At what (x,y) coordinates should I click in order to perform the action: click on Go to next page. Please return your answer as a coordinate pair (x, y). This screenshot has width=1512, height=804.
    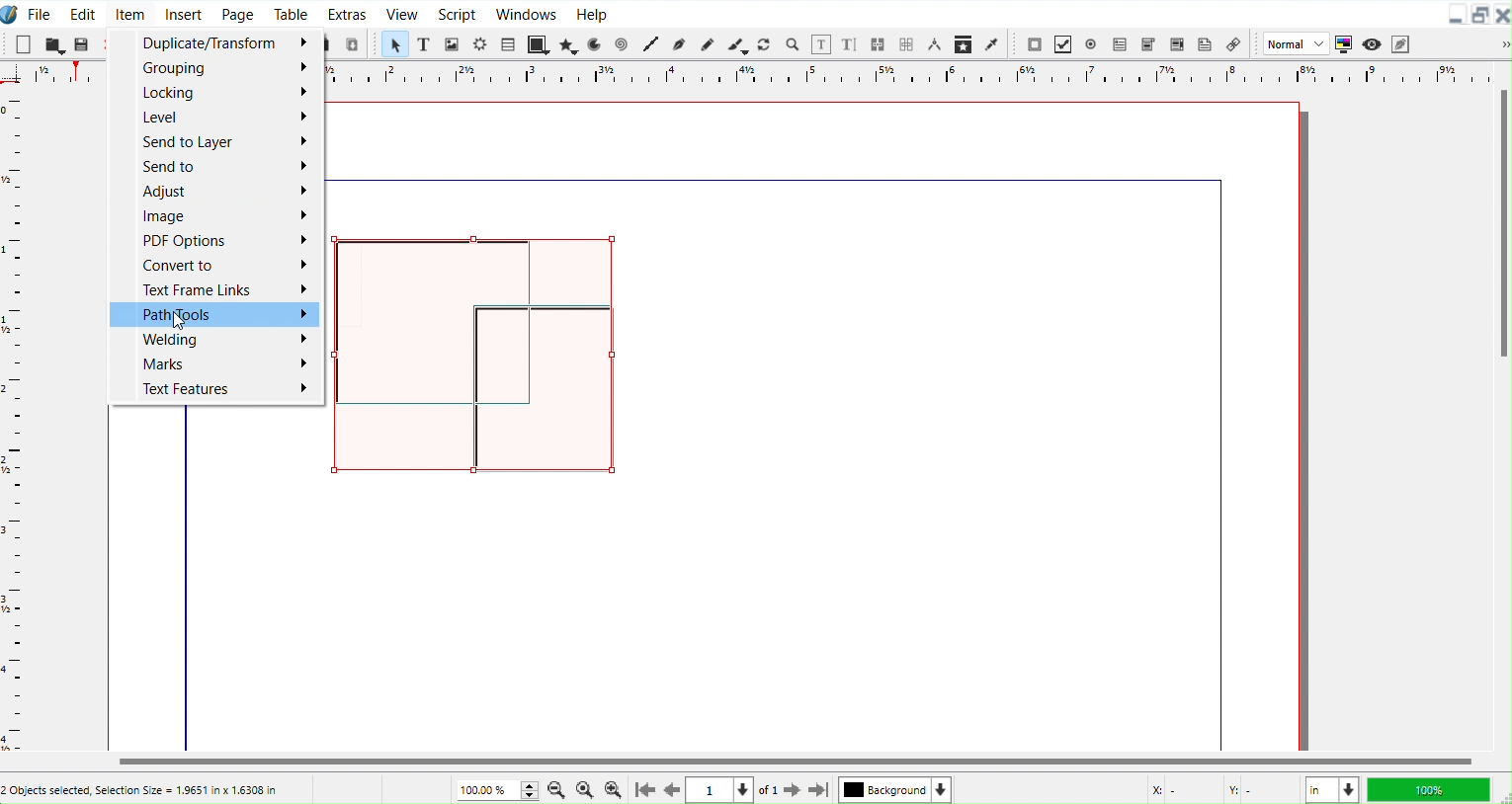
    Looking at the image, I should click on (795, 791).